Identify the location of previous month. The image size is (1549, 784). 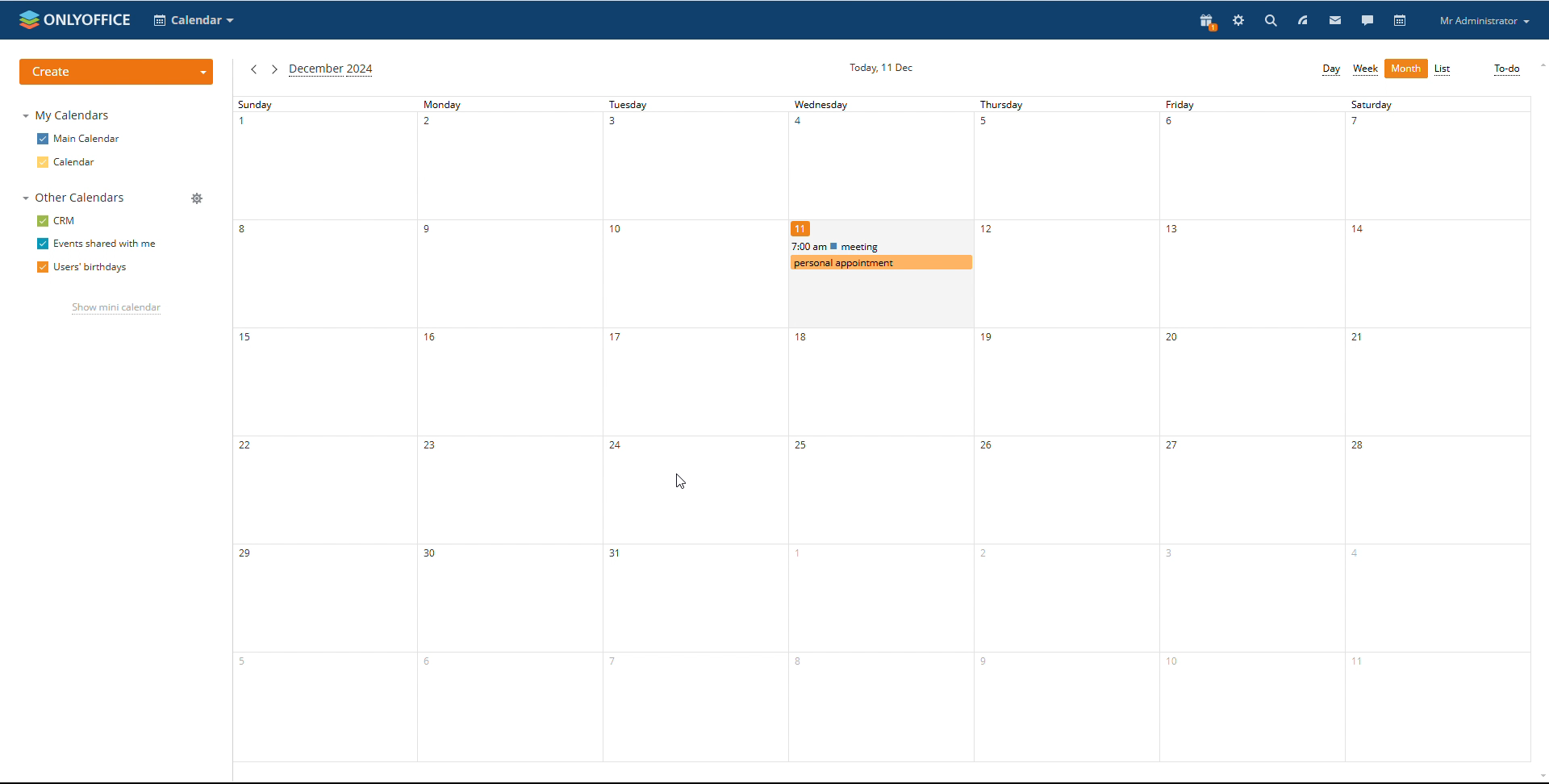
(254, 71).